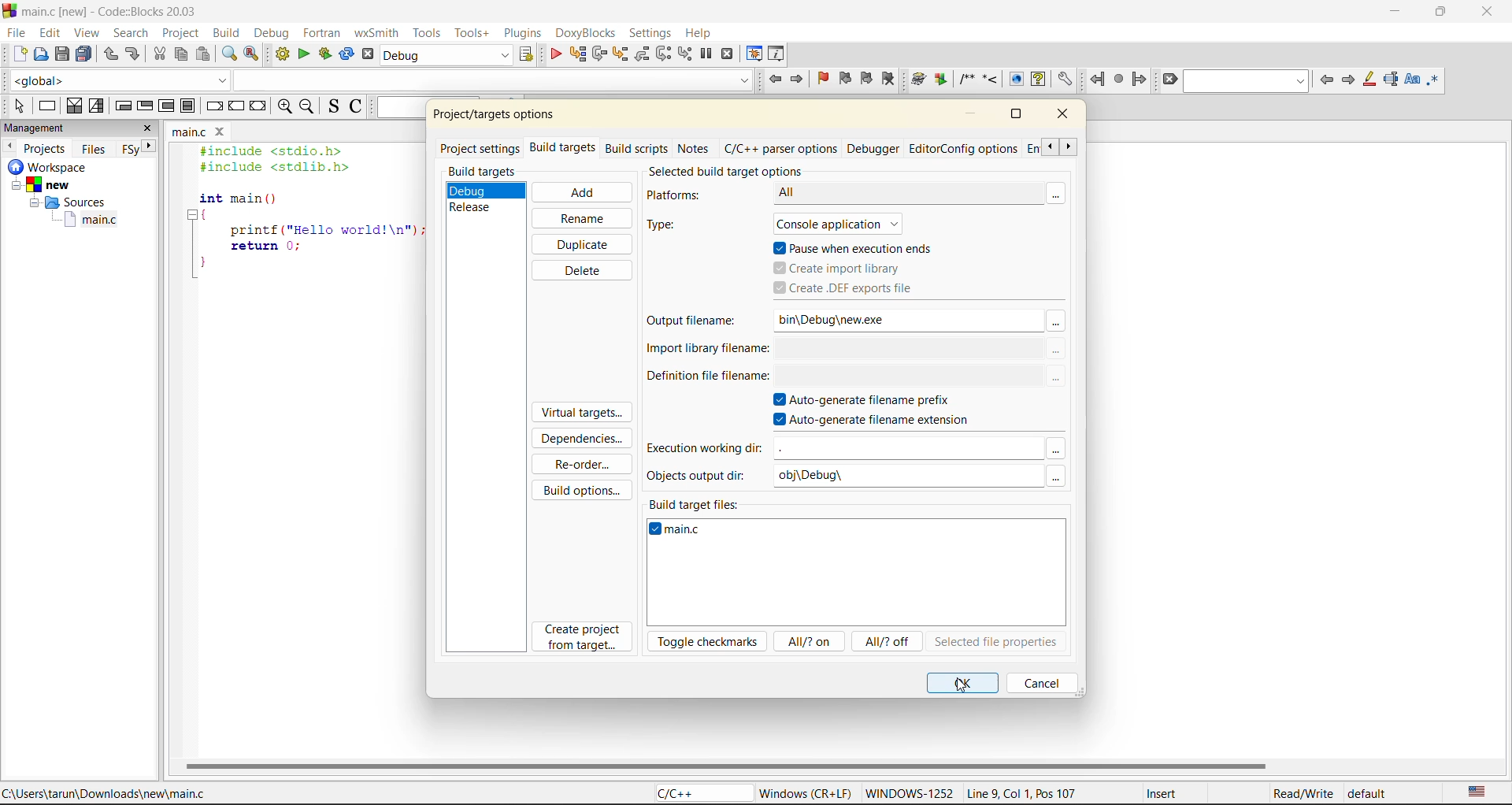 The image size is (1512, 805). What do you see at coordinates (861, 289) in the screenshot?
I see `create .def exports file` at bounding box center [861, 289].